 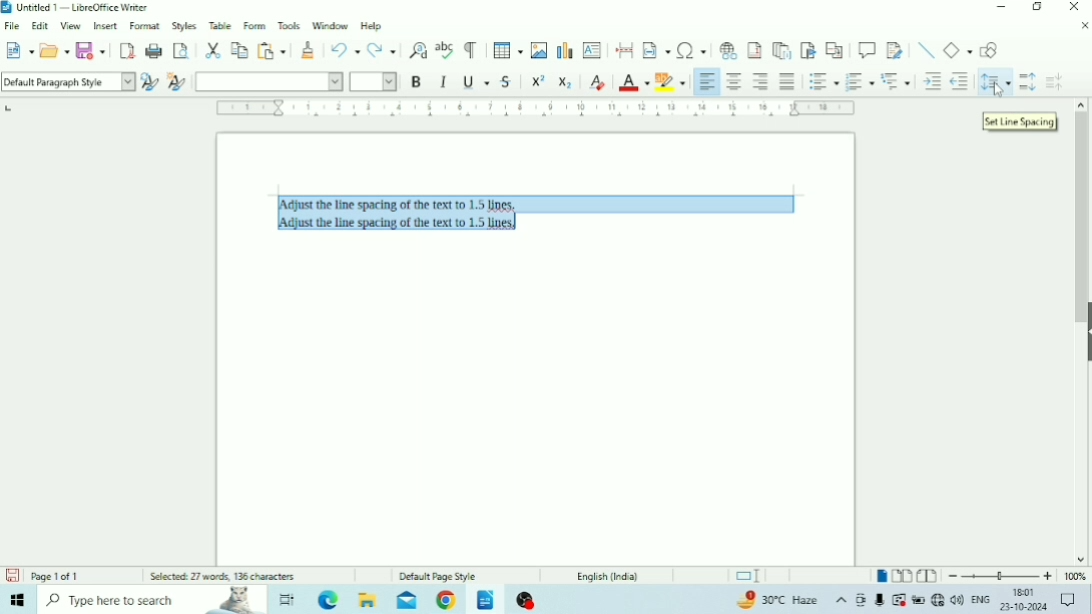 I want to click on Insert Bookmark, so click(x=809, y=49).